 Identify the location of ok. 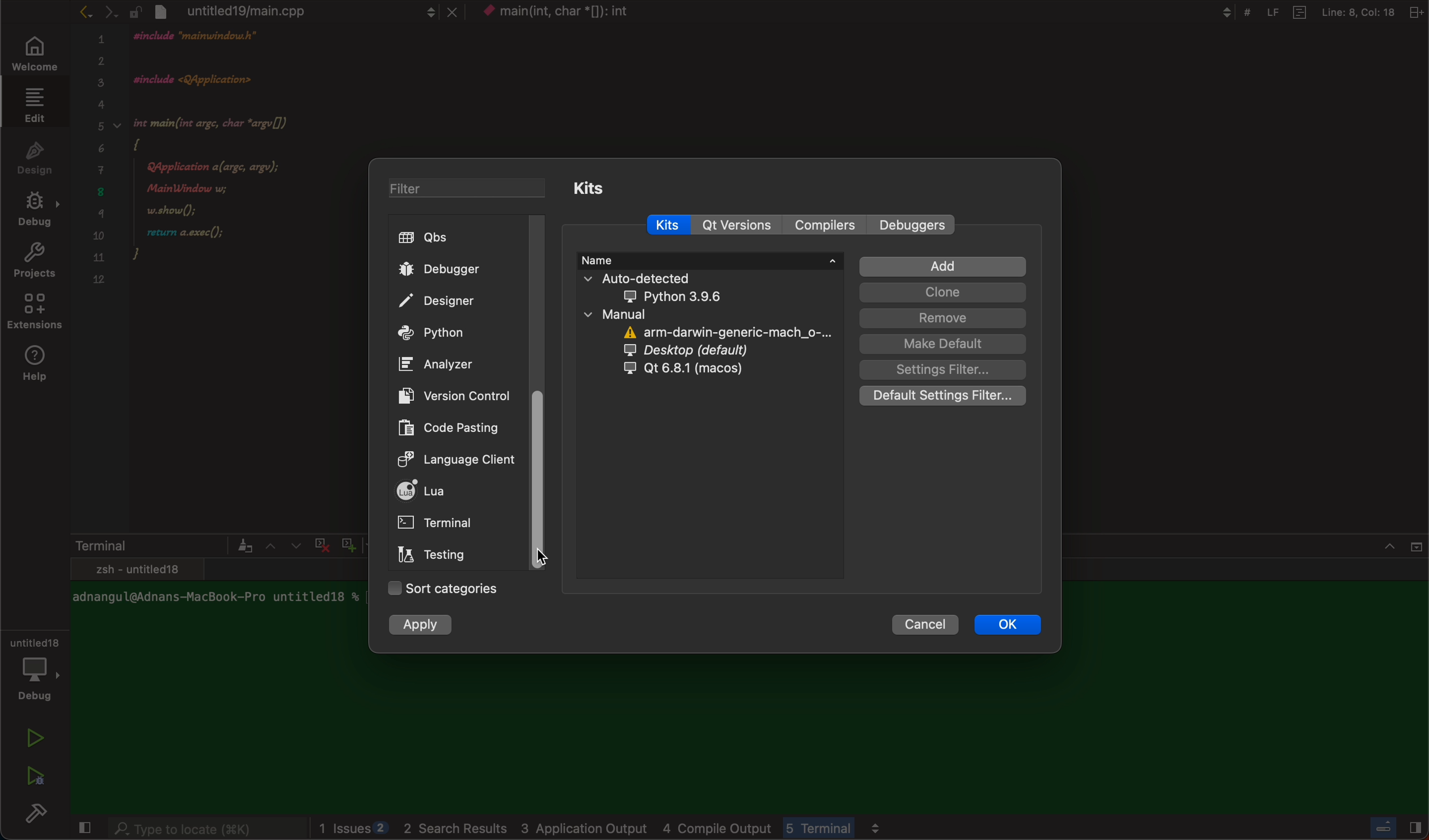
(1007, 625).